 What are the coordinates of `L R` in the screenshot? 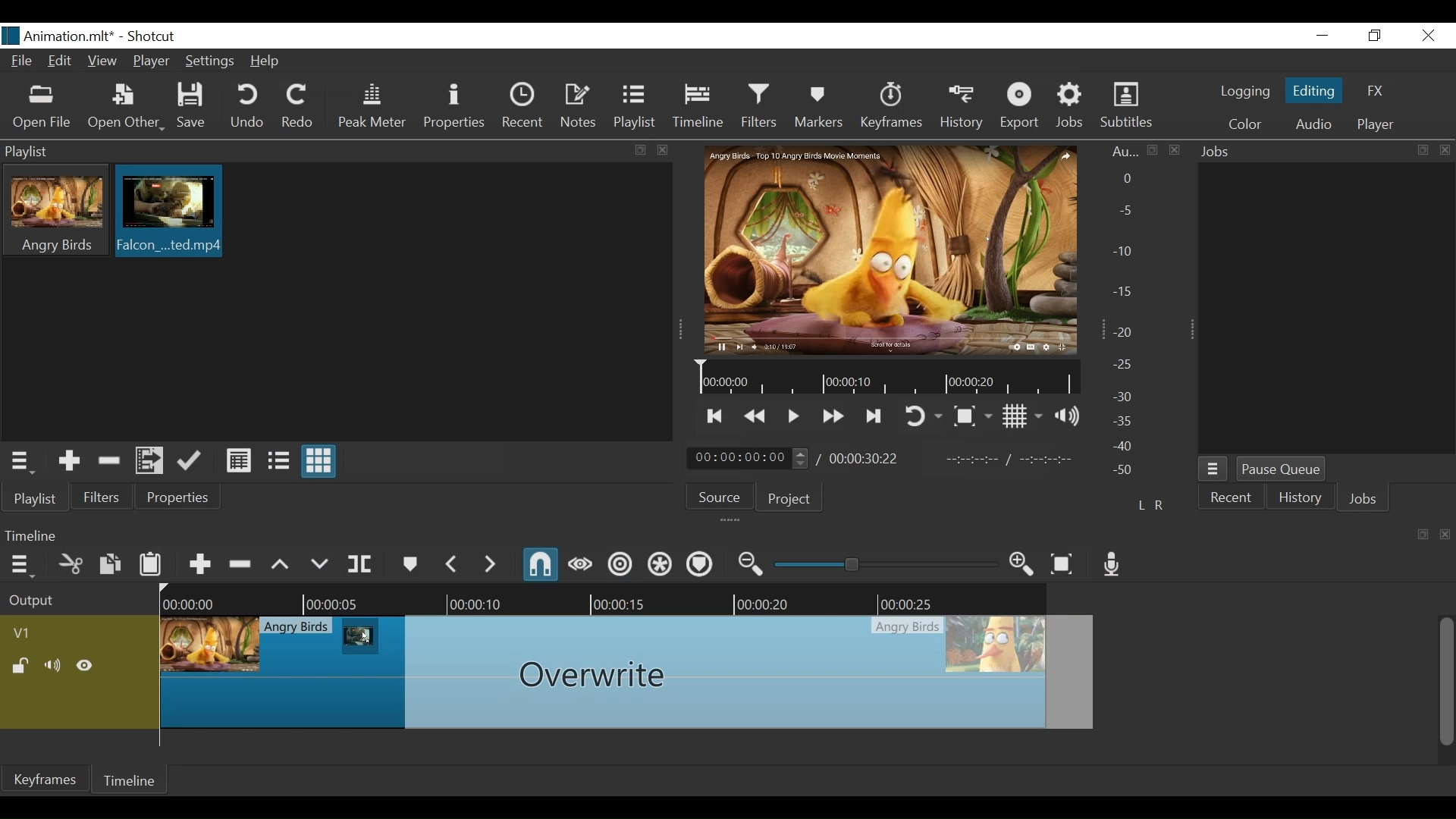 It's located at (1150, 504).